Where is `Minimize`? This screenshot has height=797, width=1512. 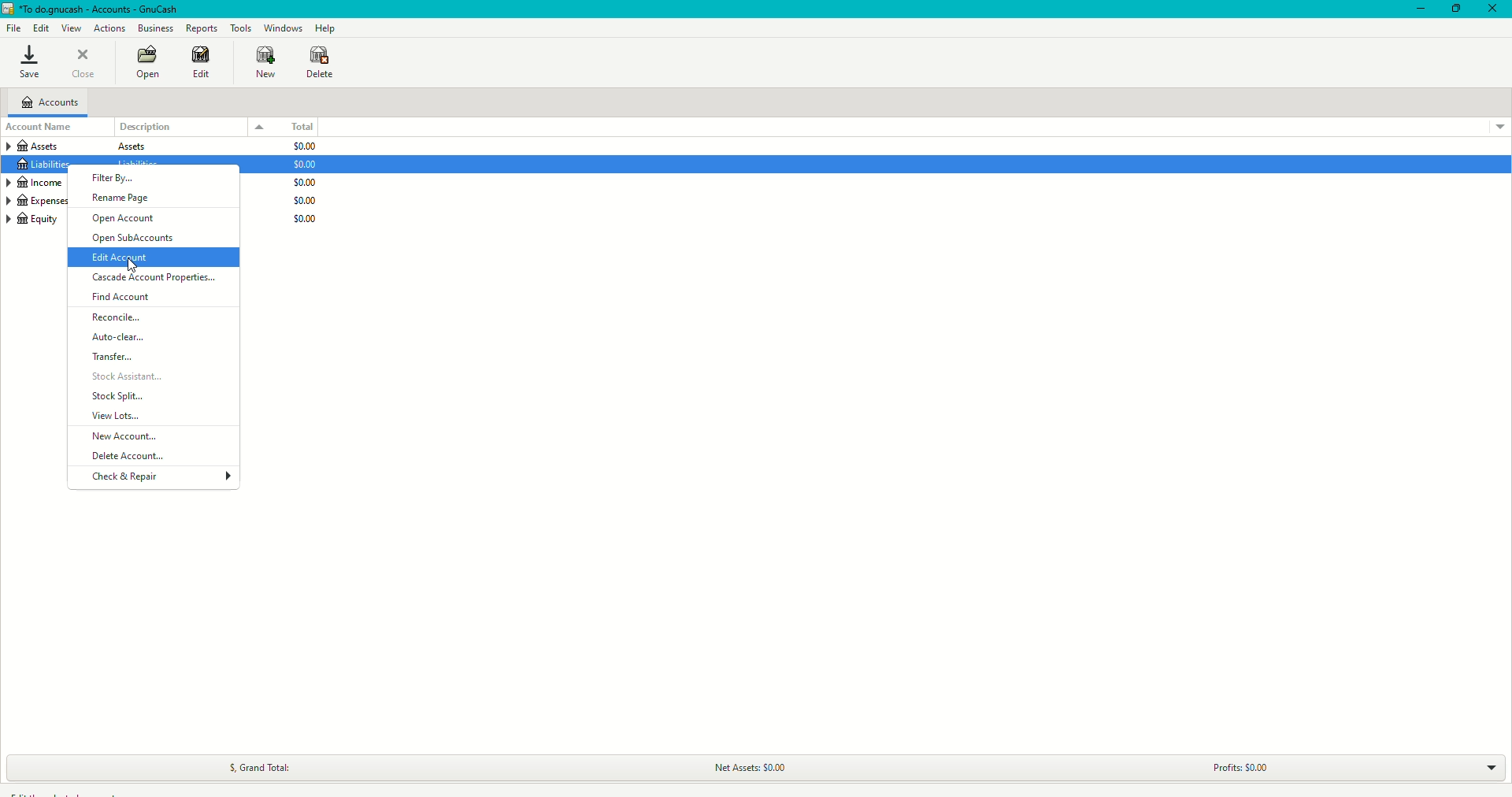 Minimize is located at coordinates (1416, 9).